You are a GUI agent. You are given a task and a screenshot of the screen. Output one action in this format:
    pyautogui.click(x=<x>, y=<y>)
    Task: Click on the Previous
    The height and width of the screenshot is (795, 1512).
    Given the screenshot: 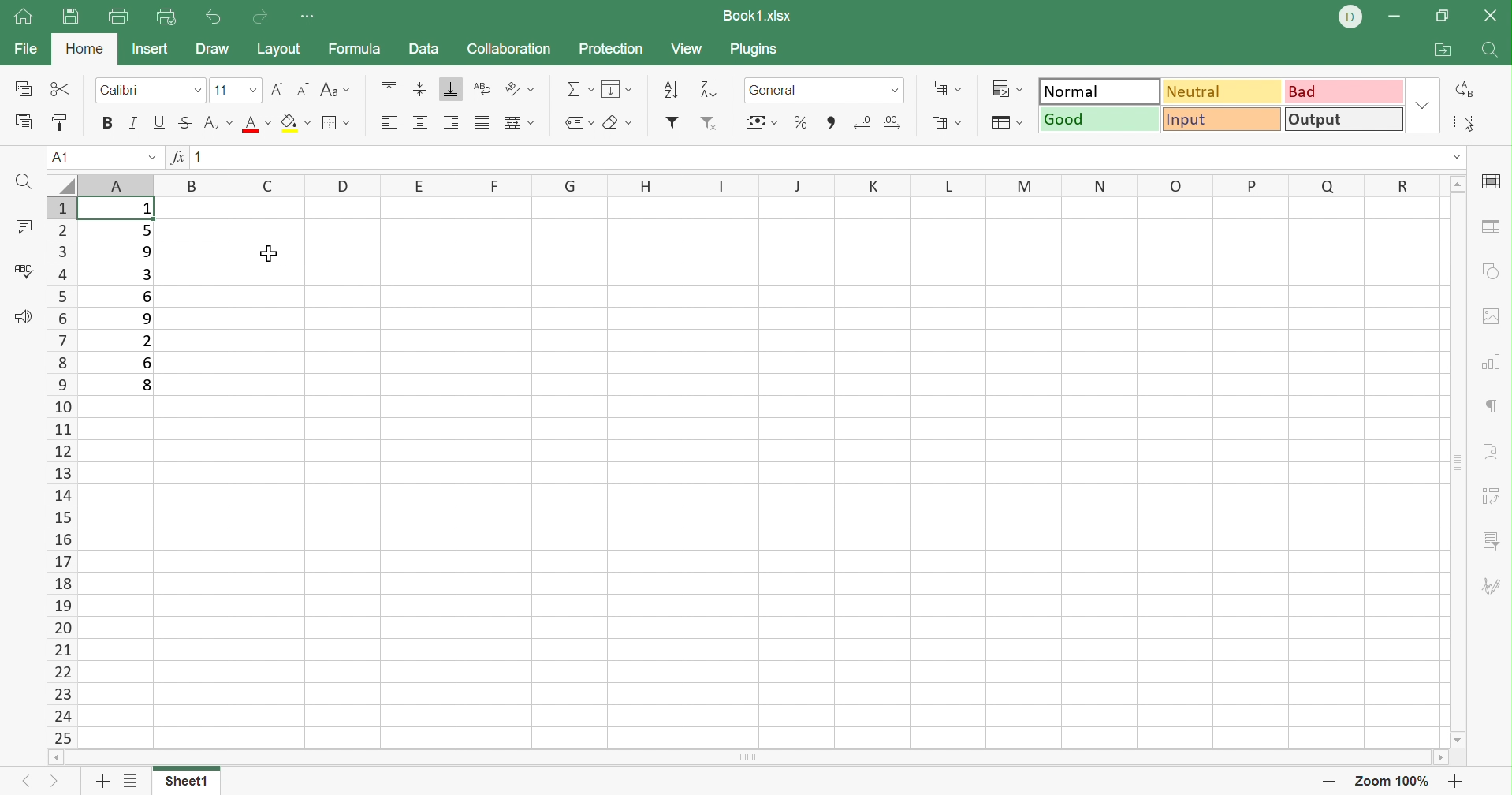 What is the action you would take?
    pyautogui.click(x=27, y=784)
    